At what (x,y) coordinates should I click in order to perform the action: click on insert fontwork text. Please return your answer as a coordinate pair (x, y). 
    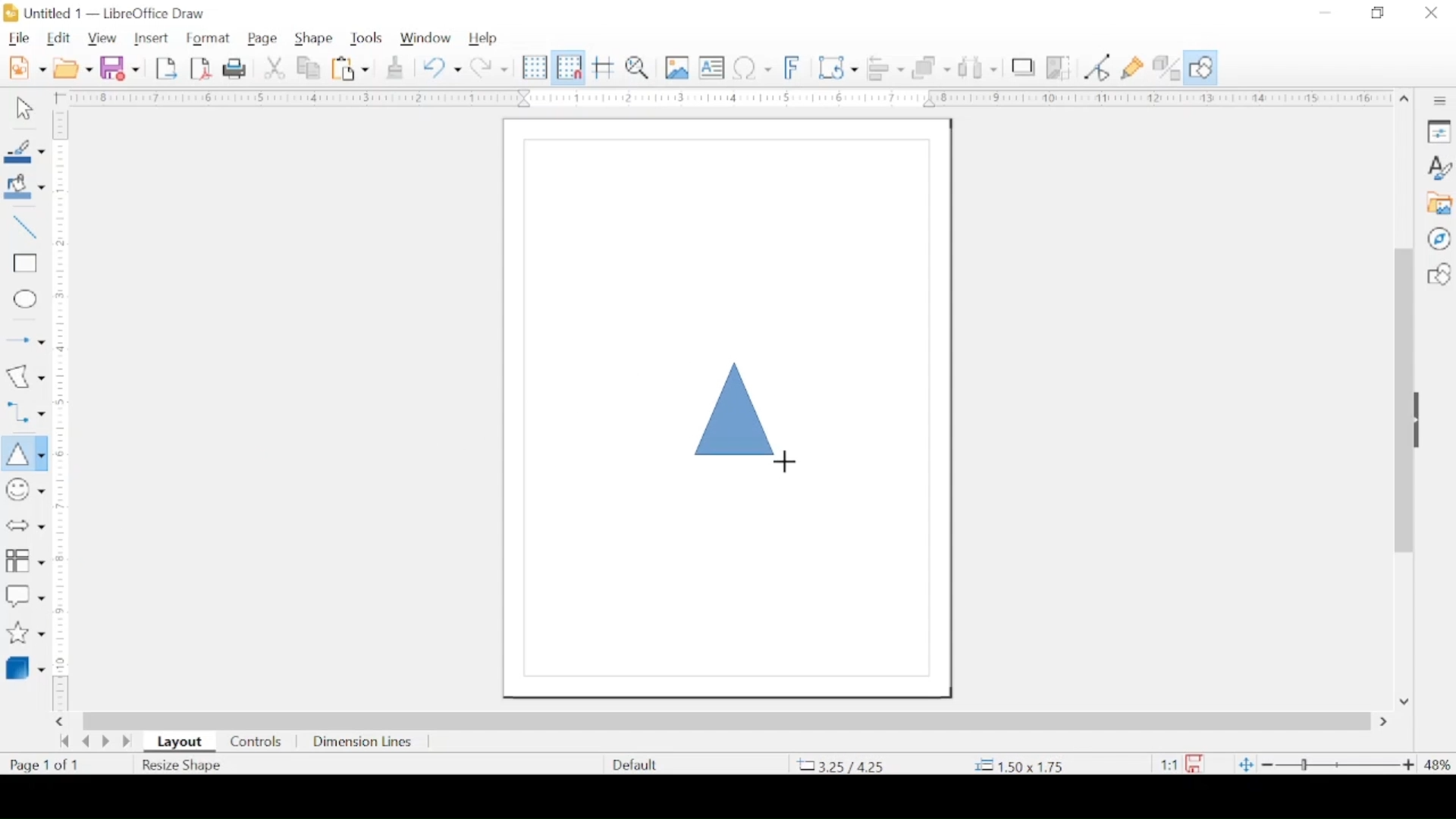
    Looking at the image, I should click on (794, 67).